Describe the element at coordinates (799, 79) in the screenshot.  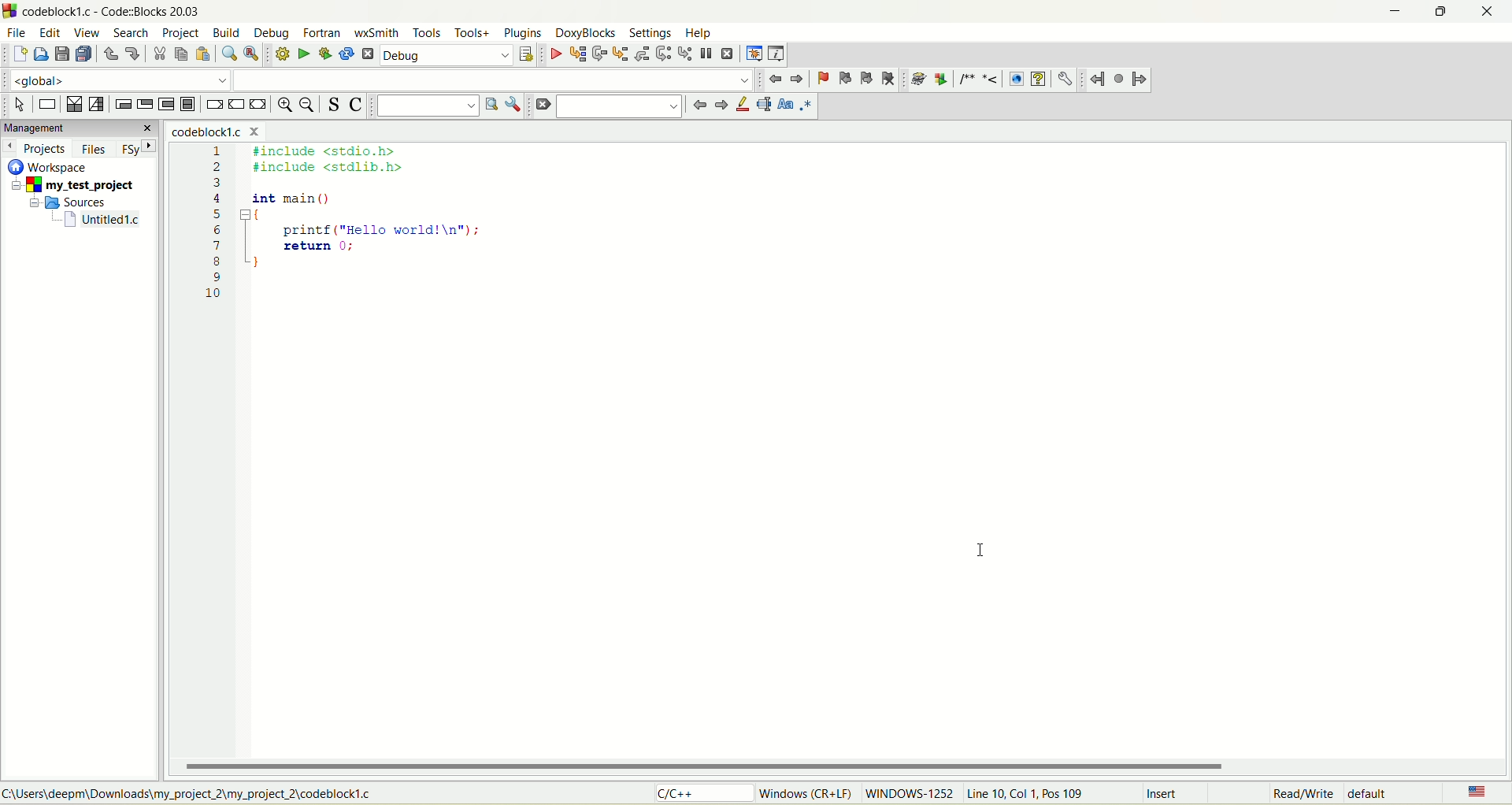
I see `jump forward` at that location.